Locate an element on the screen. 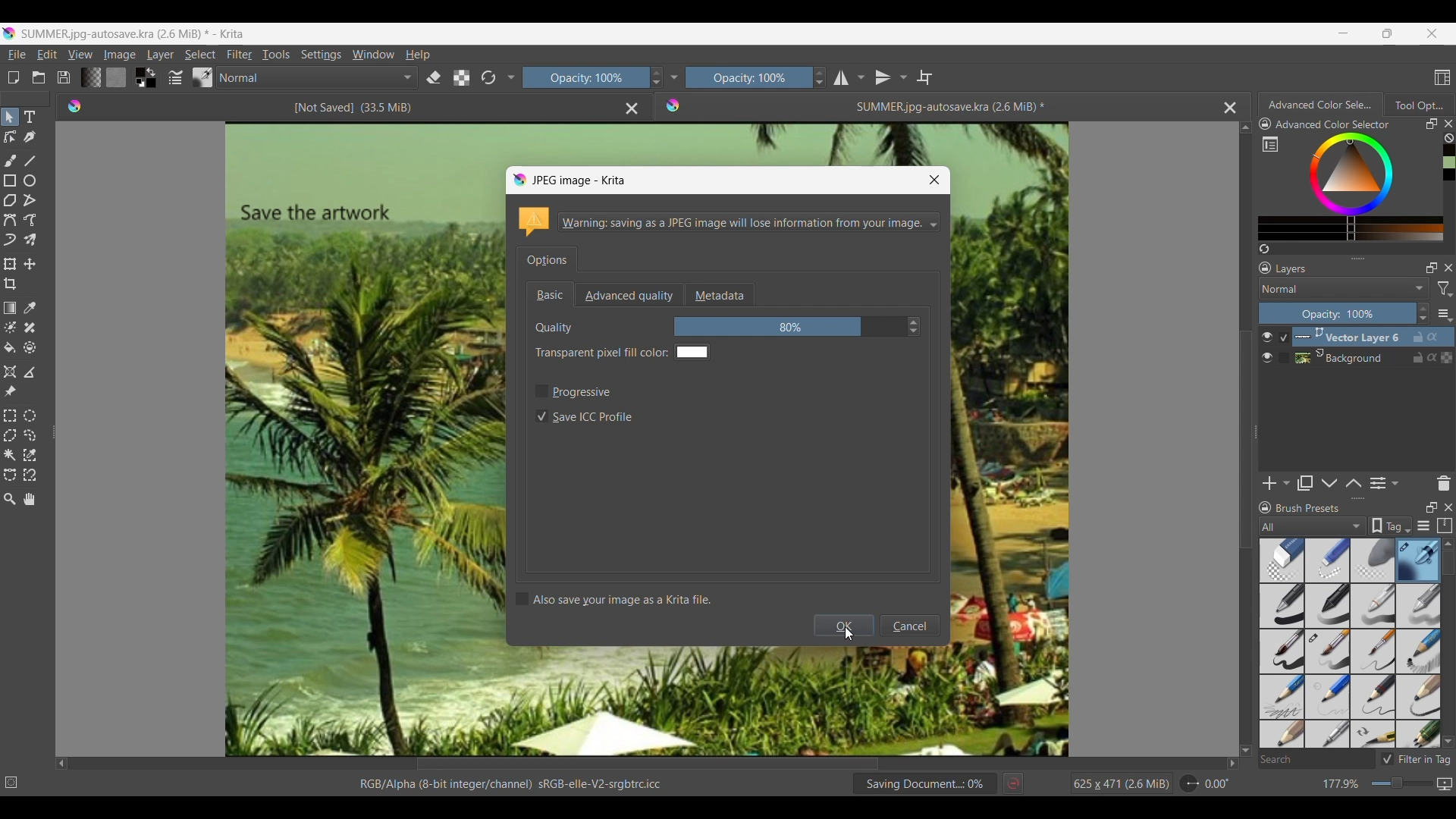  Polyline tool is located at coordinates (31, 200).